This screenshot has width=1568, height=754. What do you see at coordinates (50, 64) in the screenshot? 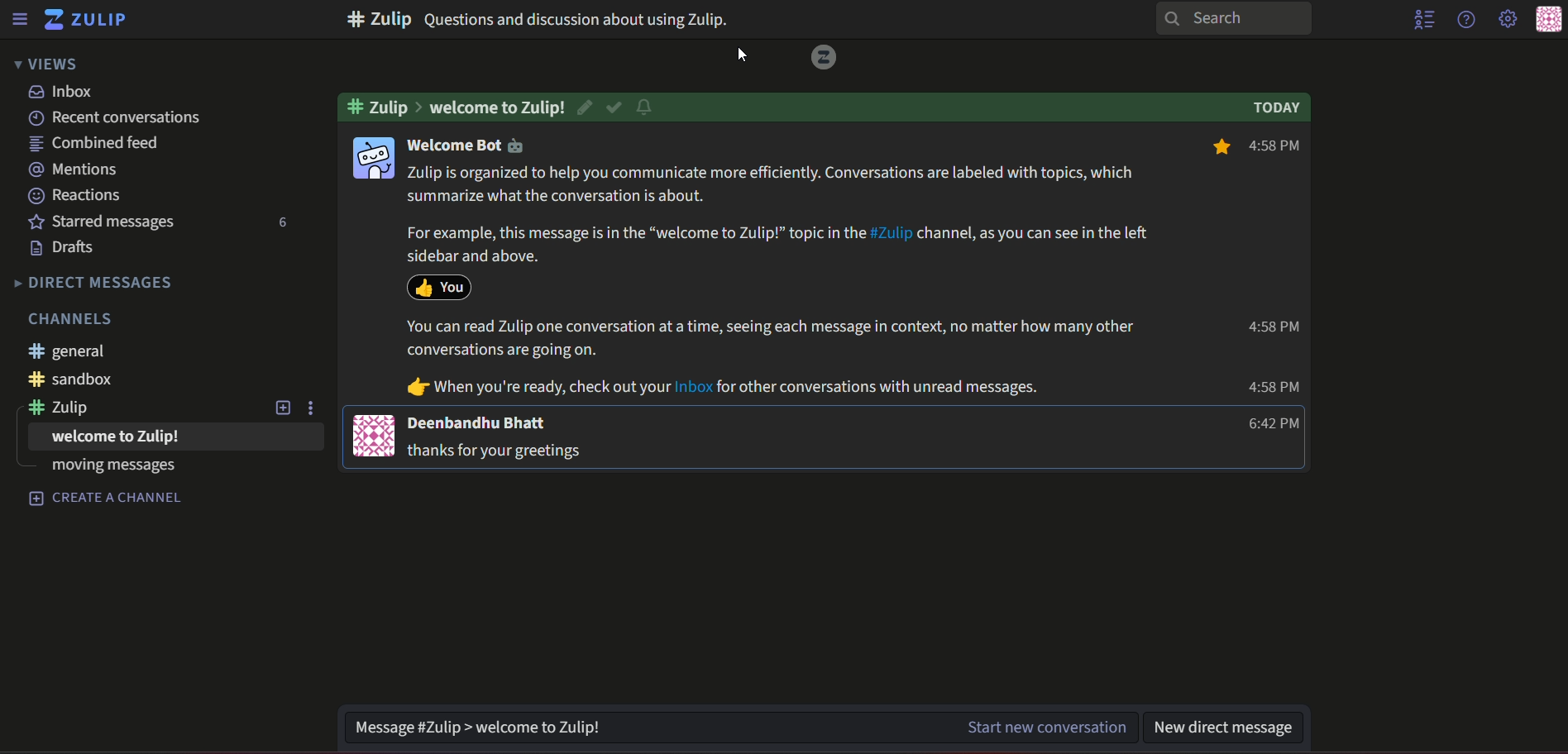
I see `views` at bounding box center [50, 64].